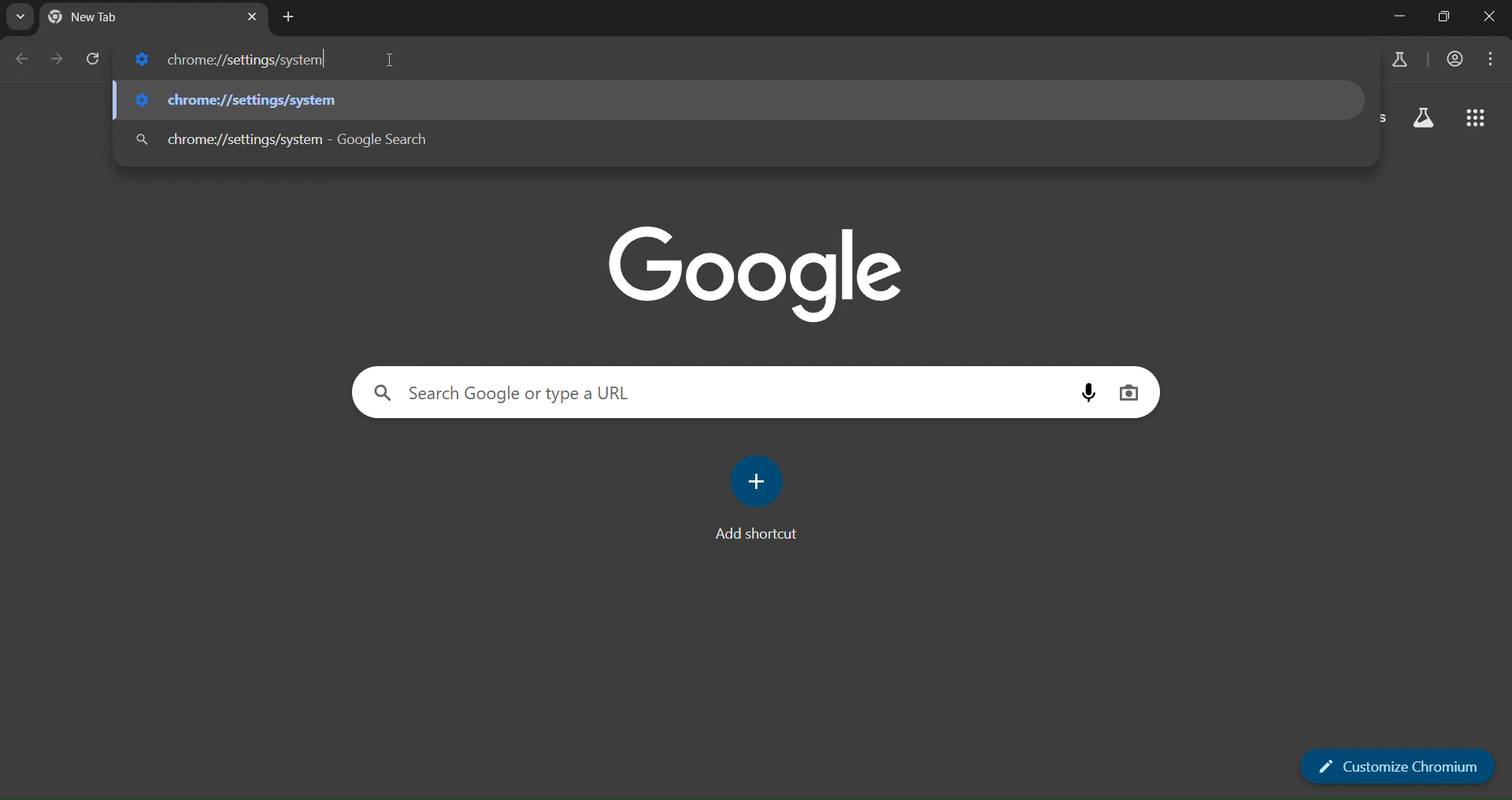 The height and width of the screenshot is (800, 1512). Describe the element at coordinates (283, 140) in the screenshot. I see `chrome://settings/system` at that location.